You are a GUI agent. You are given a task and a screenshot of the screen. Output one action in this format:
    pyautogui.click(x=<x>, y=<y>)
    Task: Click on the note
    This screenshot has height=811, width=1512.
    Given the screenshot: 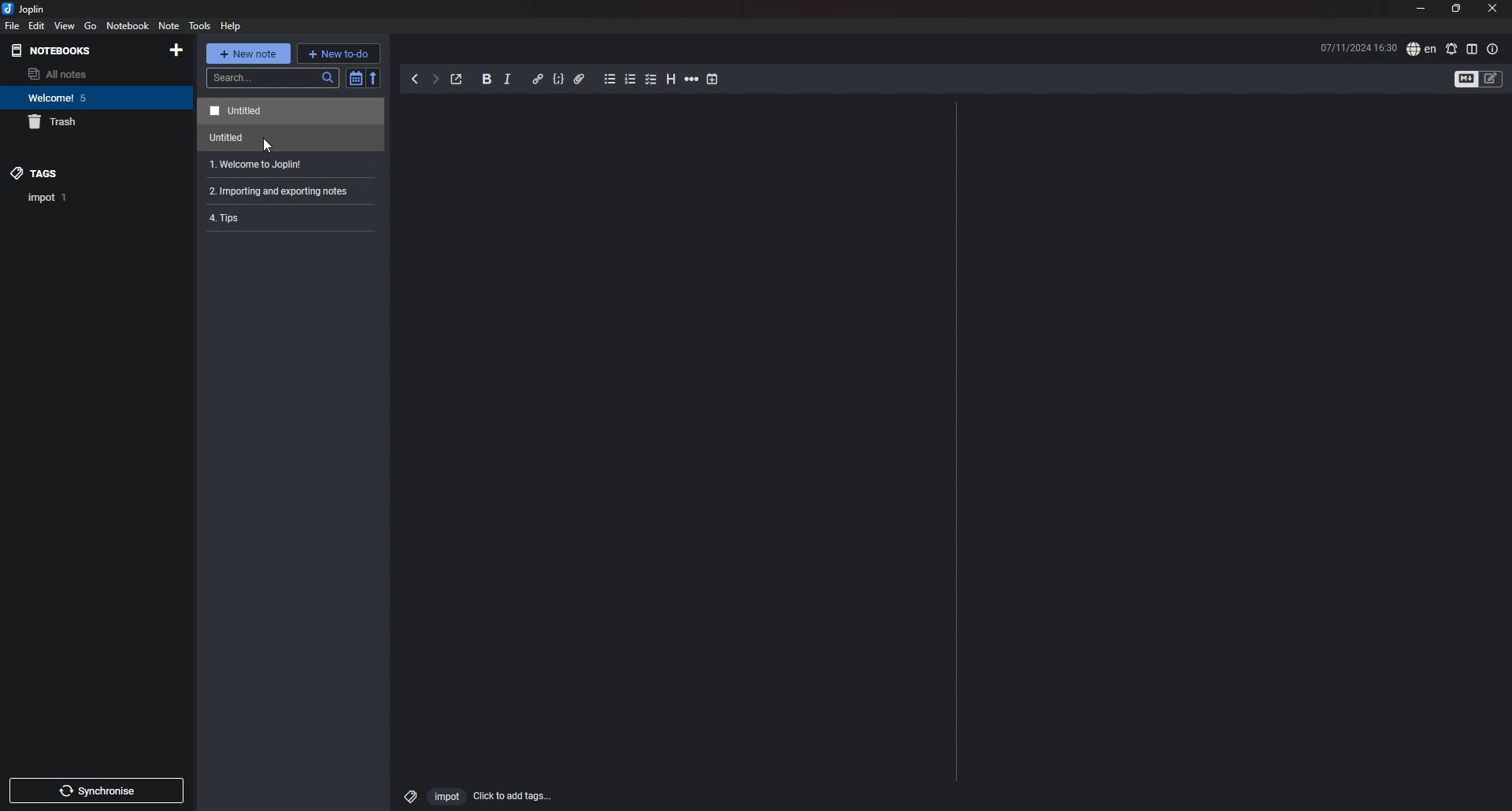 What is the action you would take?
    pyautogui.click(x=288, y=165)
    